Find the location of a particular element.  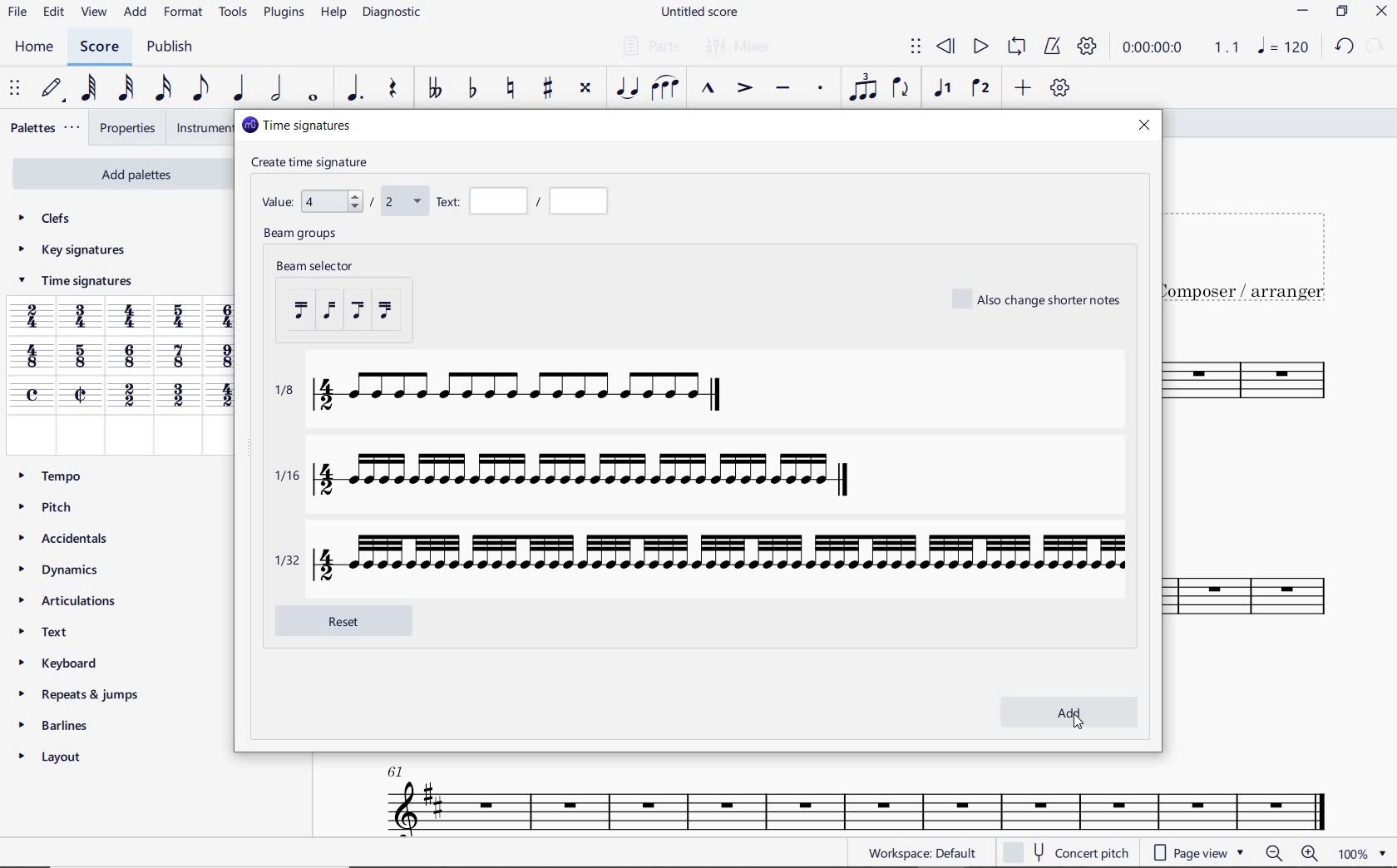

CLEFS is located at coordinates (47, 220).